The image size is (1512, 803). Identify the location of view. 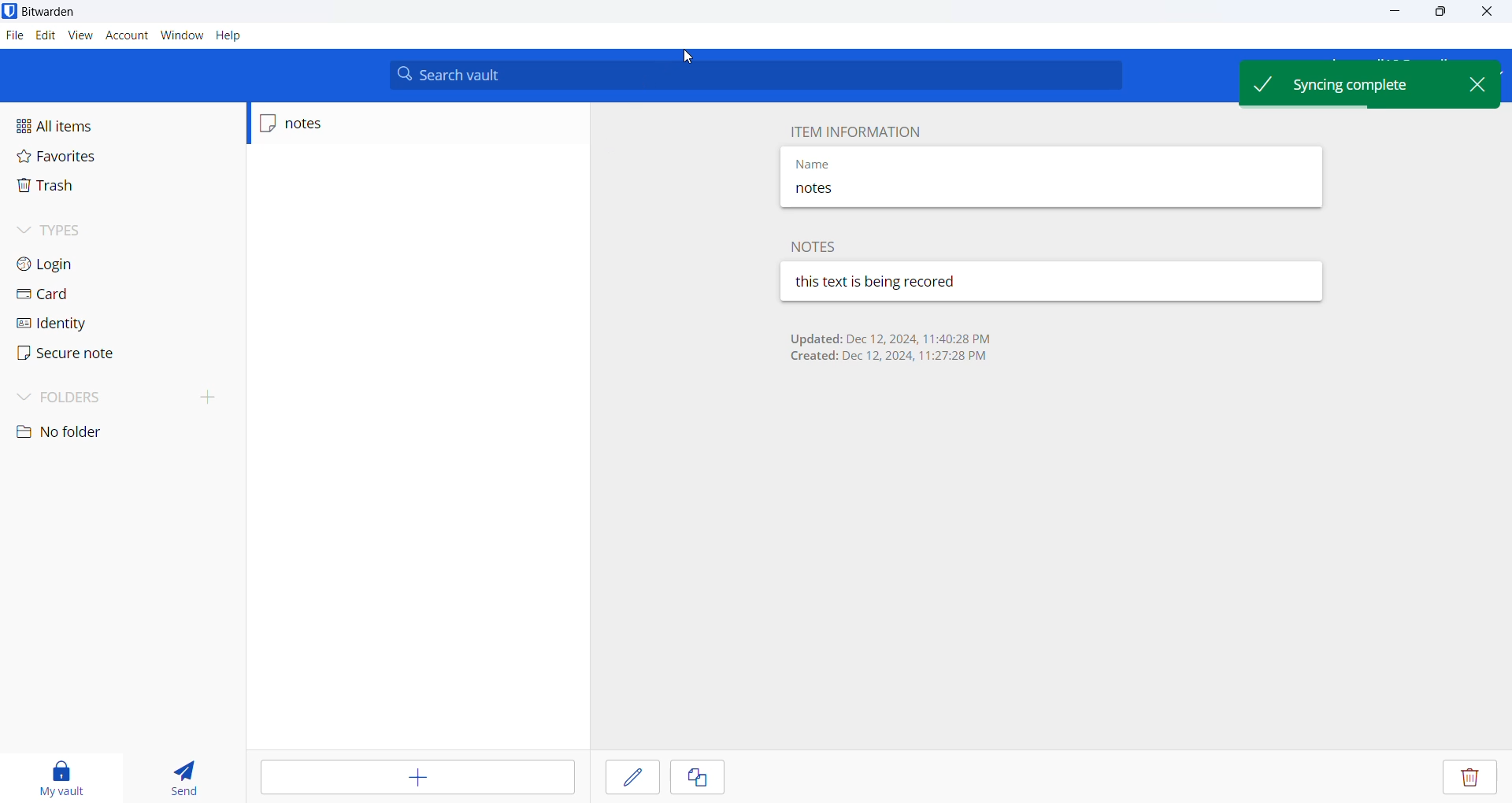
(79, 35).